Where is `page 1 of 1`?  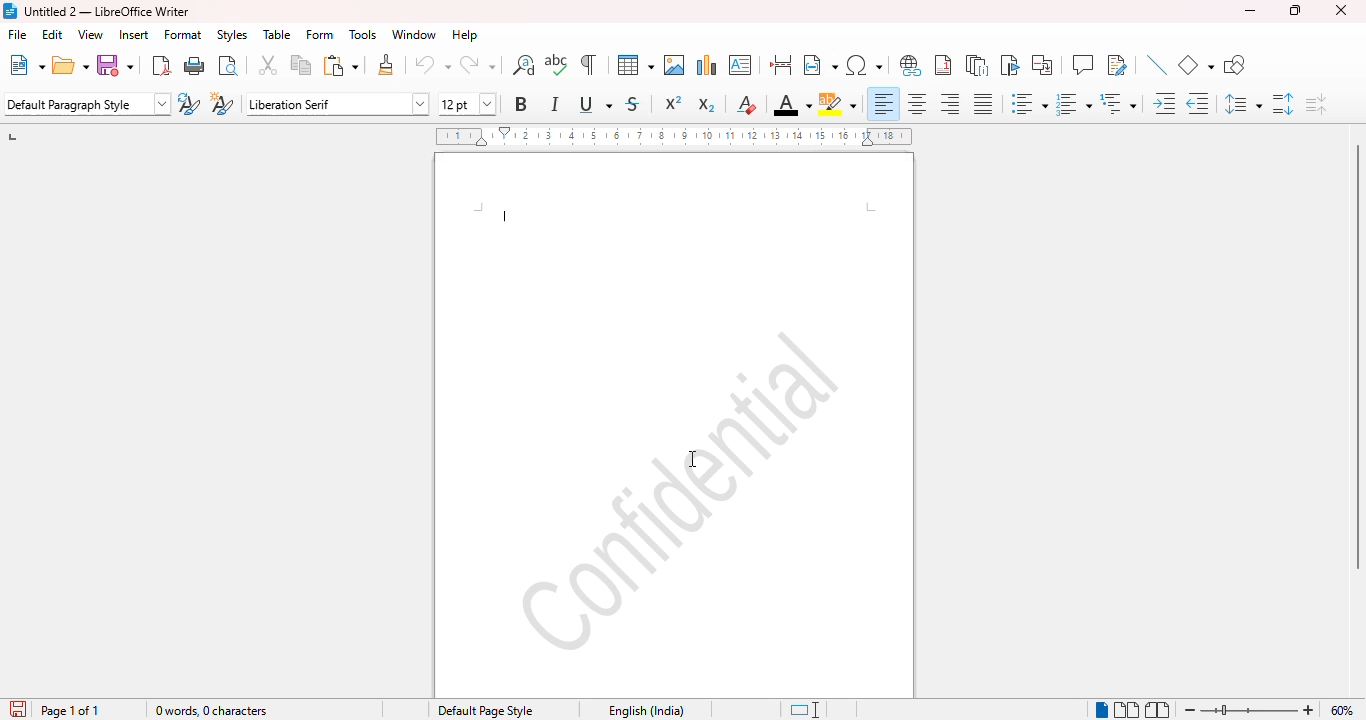 page 1 of 1 is located at coordinates (71, 710).